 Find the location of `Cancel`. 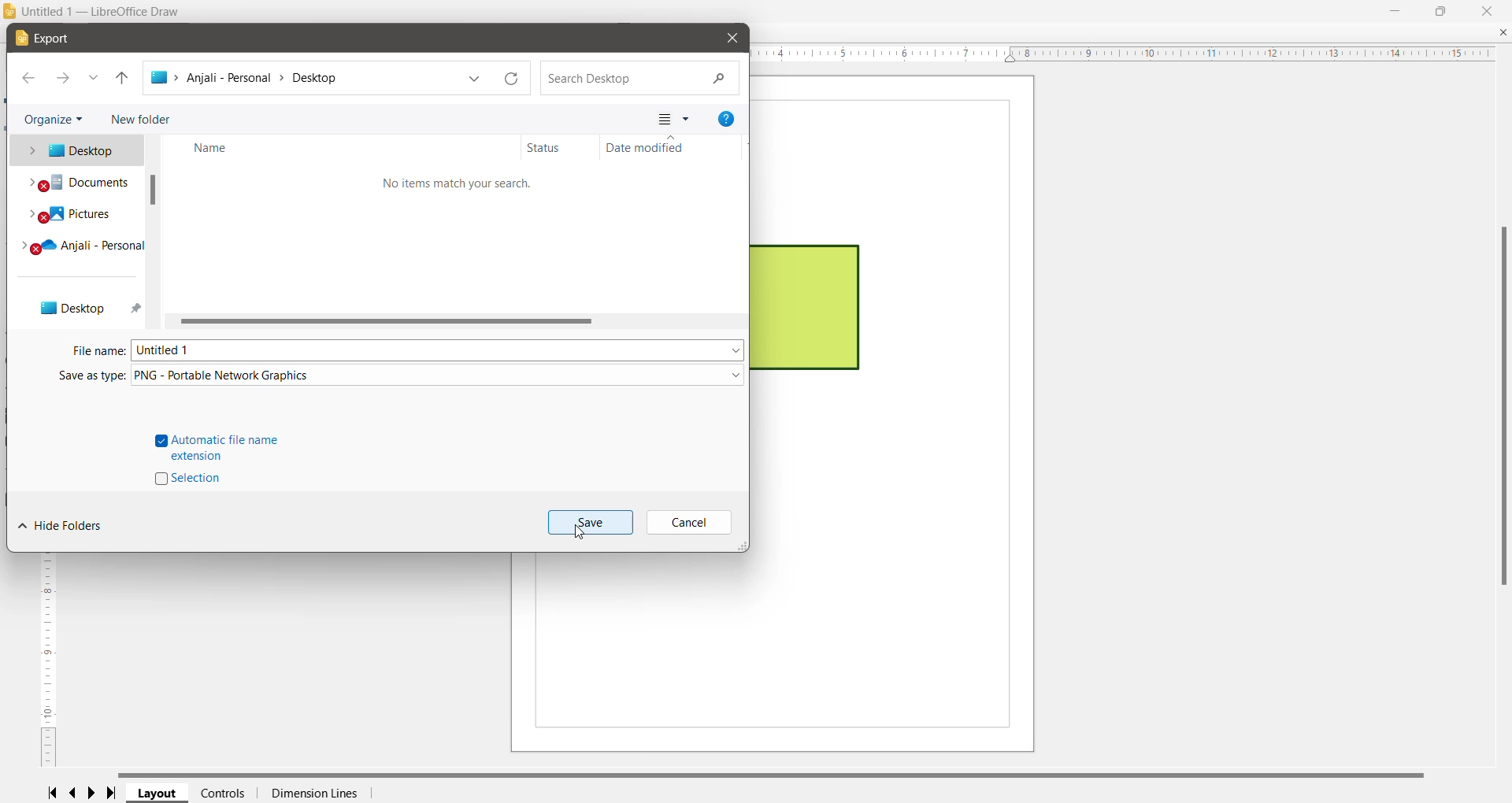

Cancel is located at coordinates (687, 522).